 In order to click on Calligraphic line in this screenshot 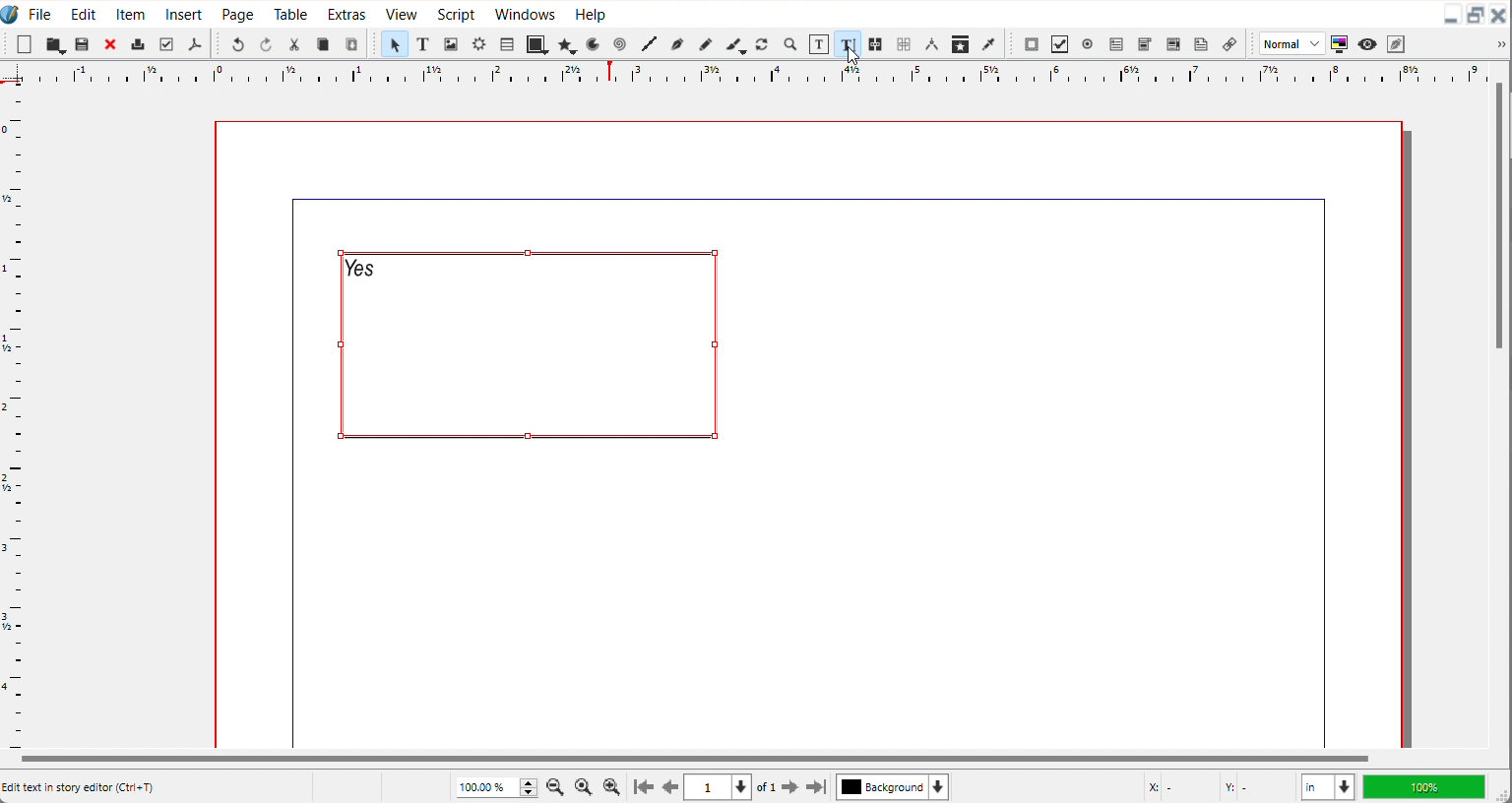, I will do `click(735, 45)`.